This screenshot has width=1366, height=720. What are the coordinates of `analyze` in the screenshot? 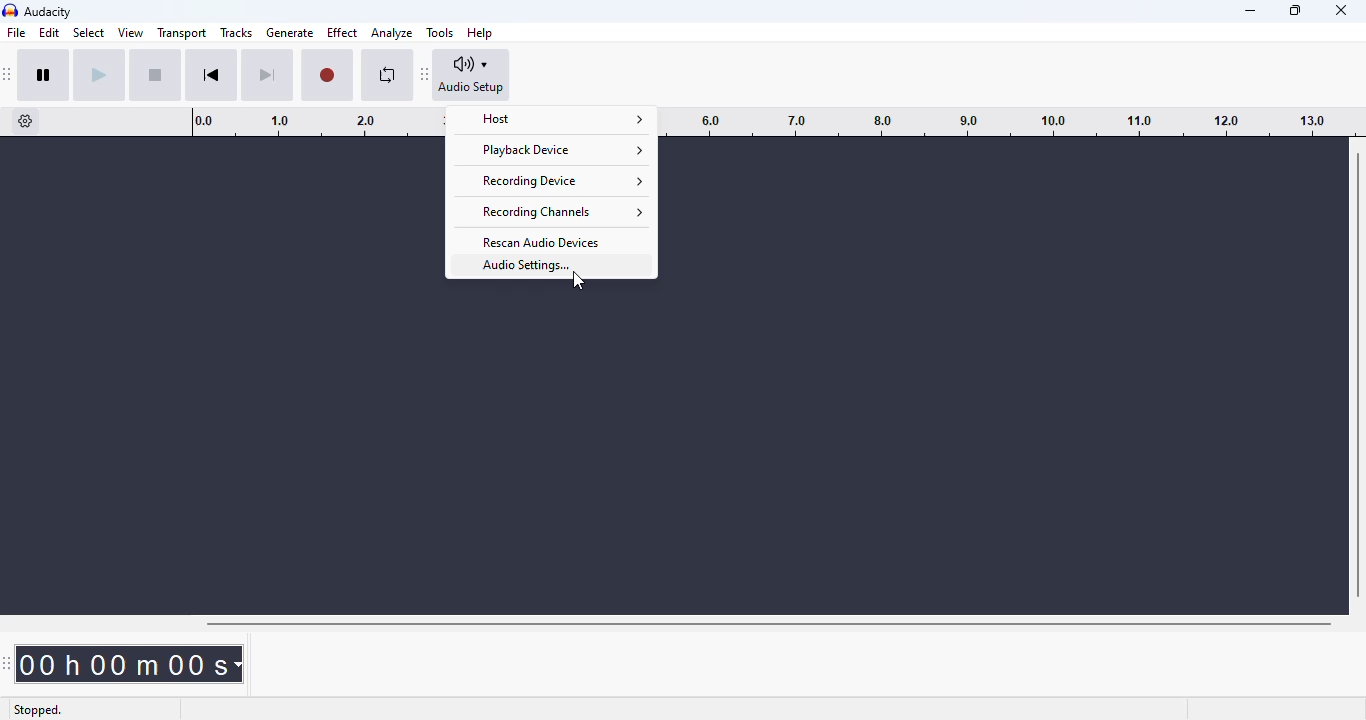 It's located at (392, 33).